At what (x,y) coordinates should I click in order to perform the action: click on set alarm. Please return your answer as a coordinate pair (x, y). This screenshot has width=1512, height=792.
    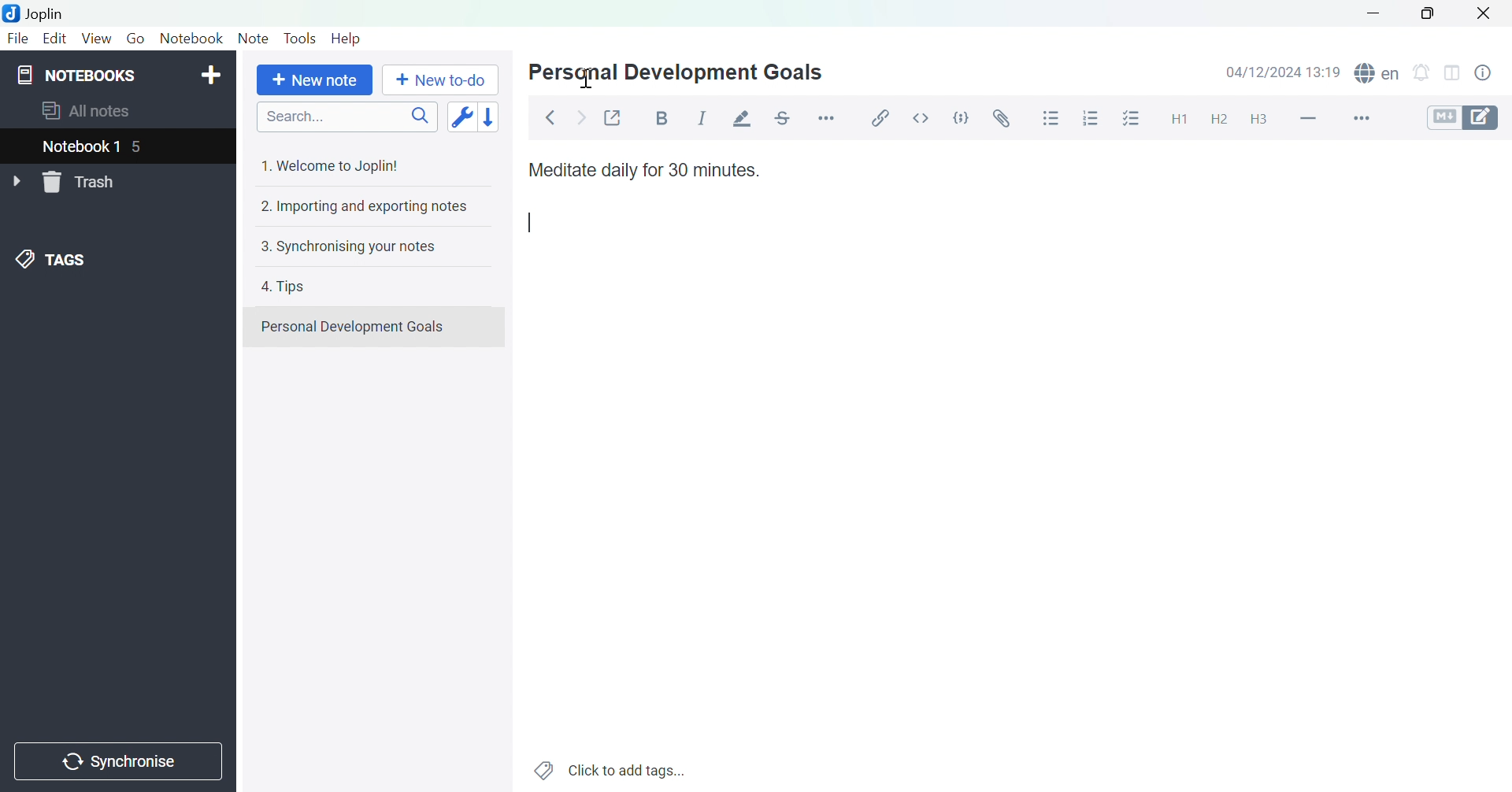
    Looking at the image, I should click on (1425, 76).